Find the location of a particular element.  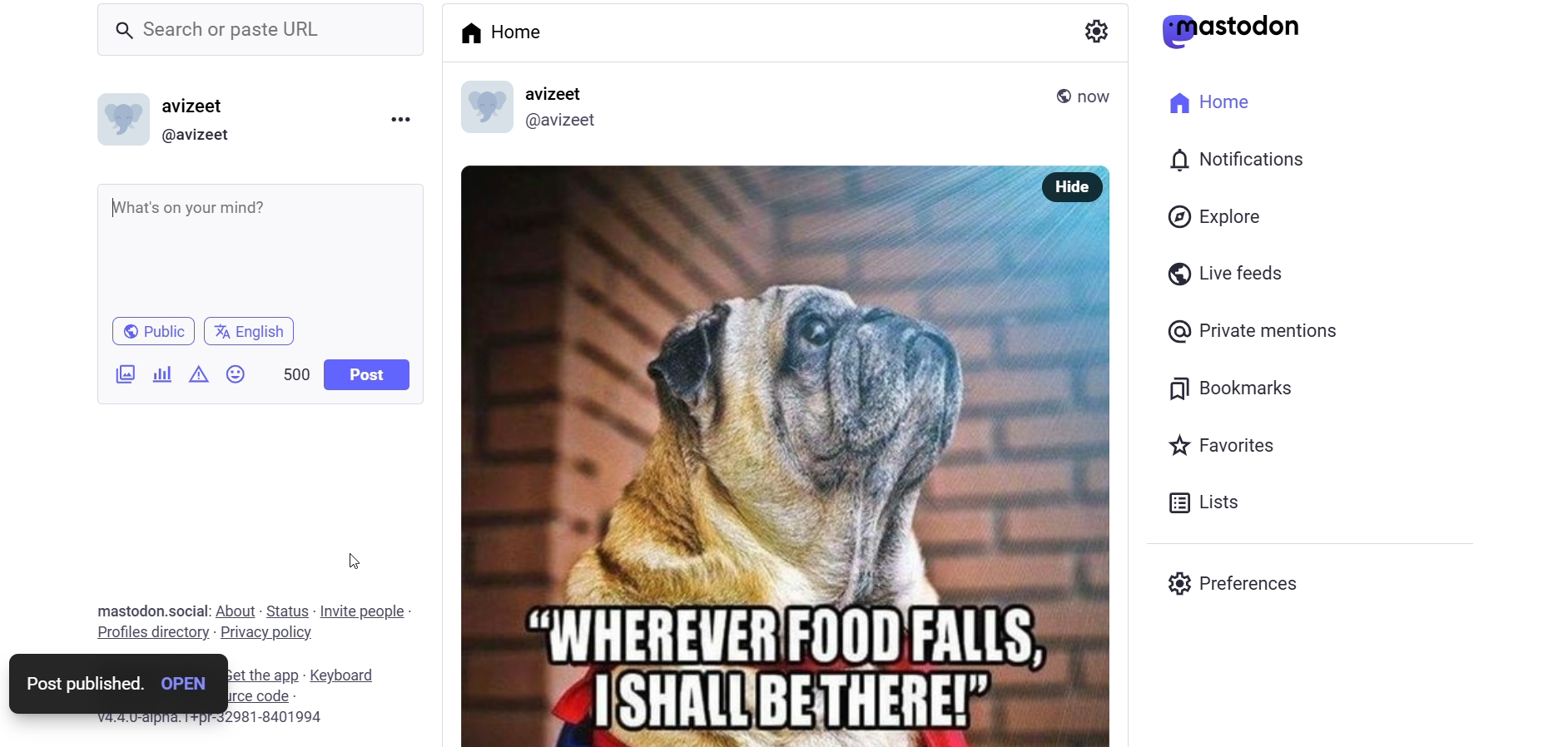

poll is located at coordinates (161, 376).